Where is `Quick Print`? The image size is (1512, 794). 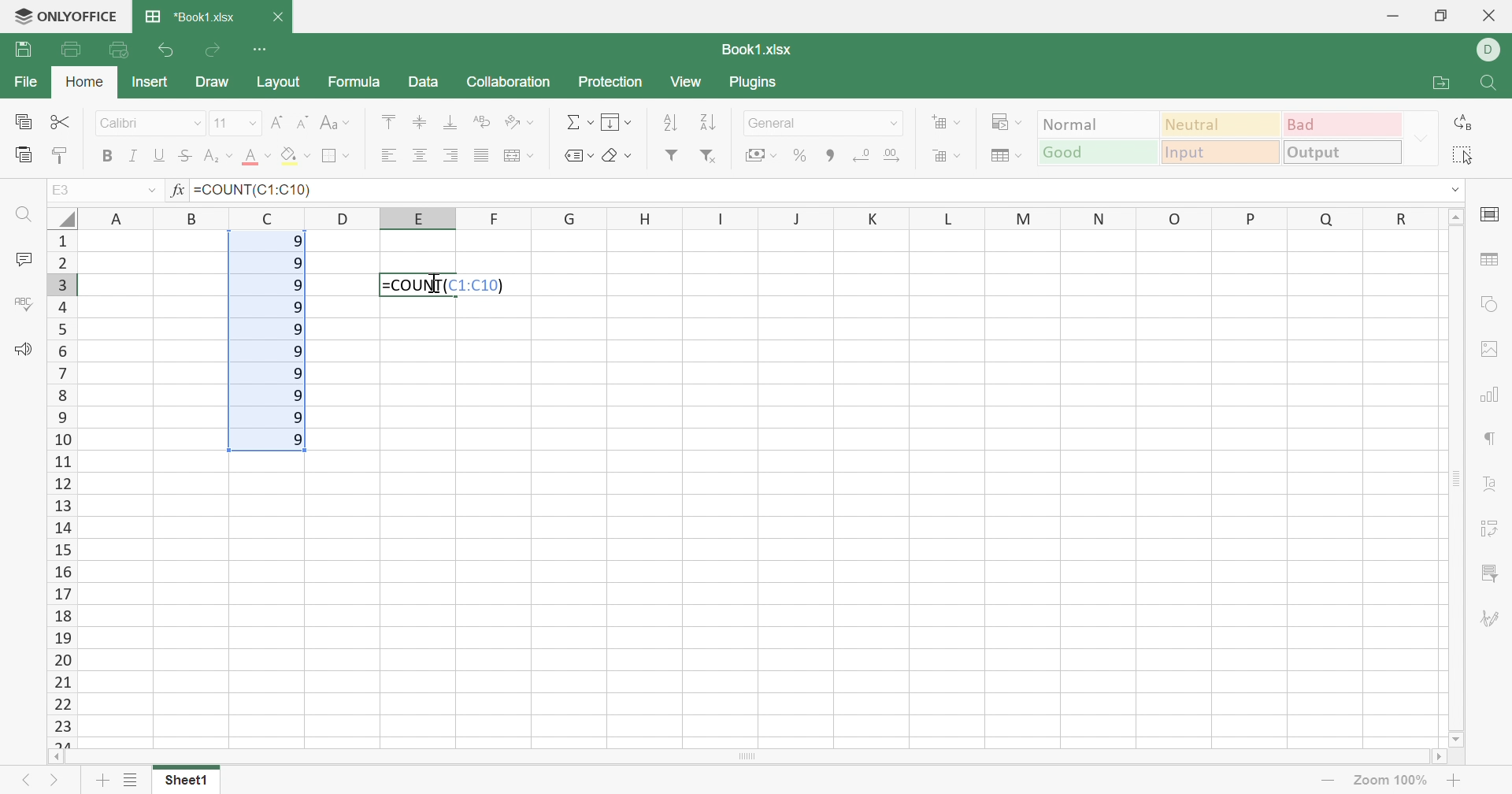 Quick Print is located at coordinates (120, 51).